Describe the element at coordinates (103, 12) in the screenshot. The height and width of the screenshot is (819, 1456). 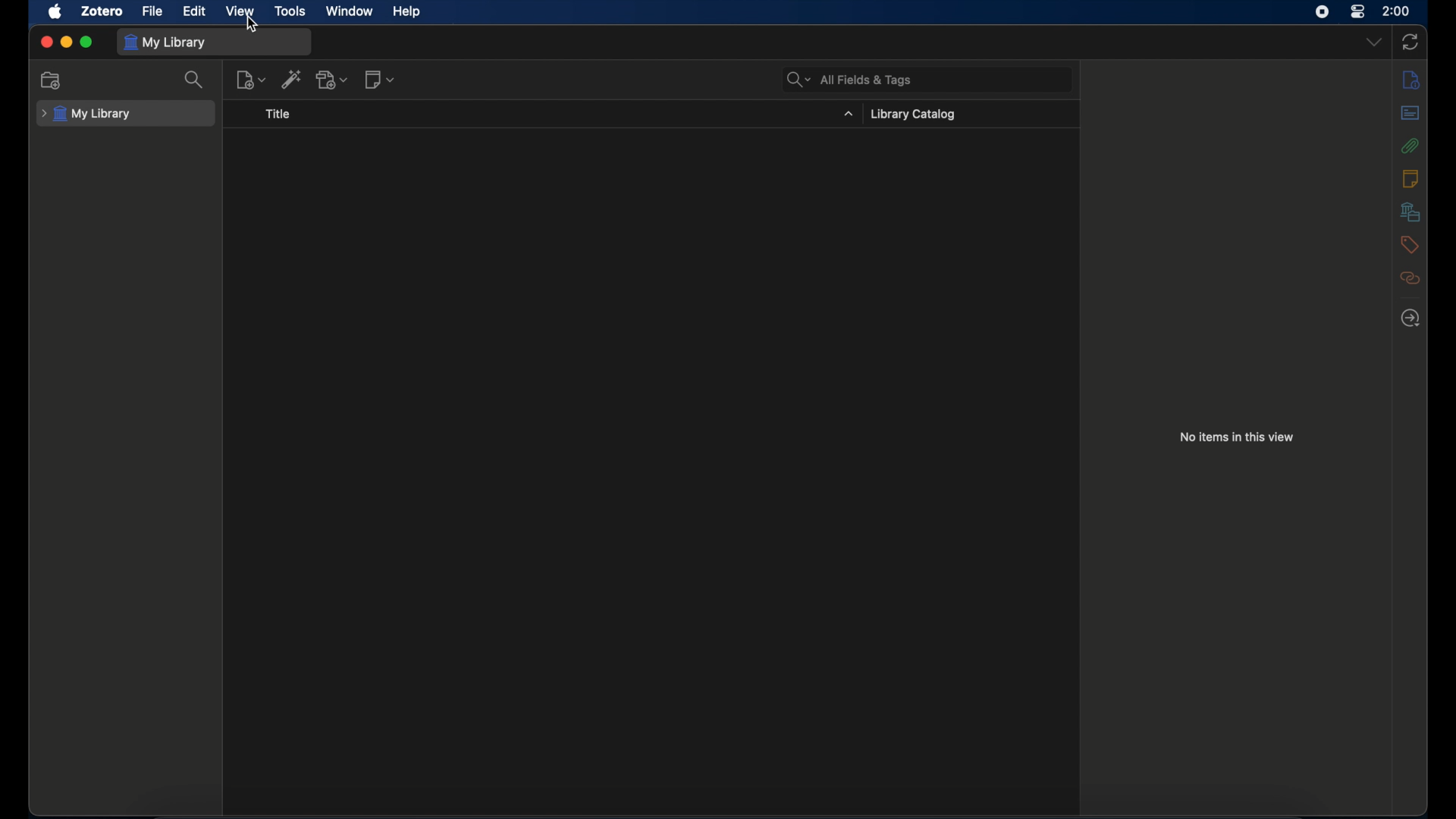
I see `zotero` at that location.